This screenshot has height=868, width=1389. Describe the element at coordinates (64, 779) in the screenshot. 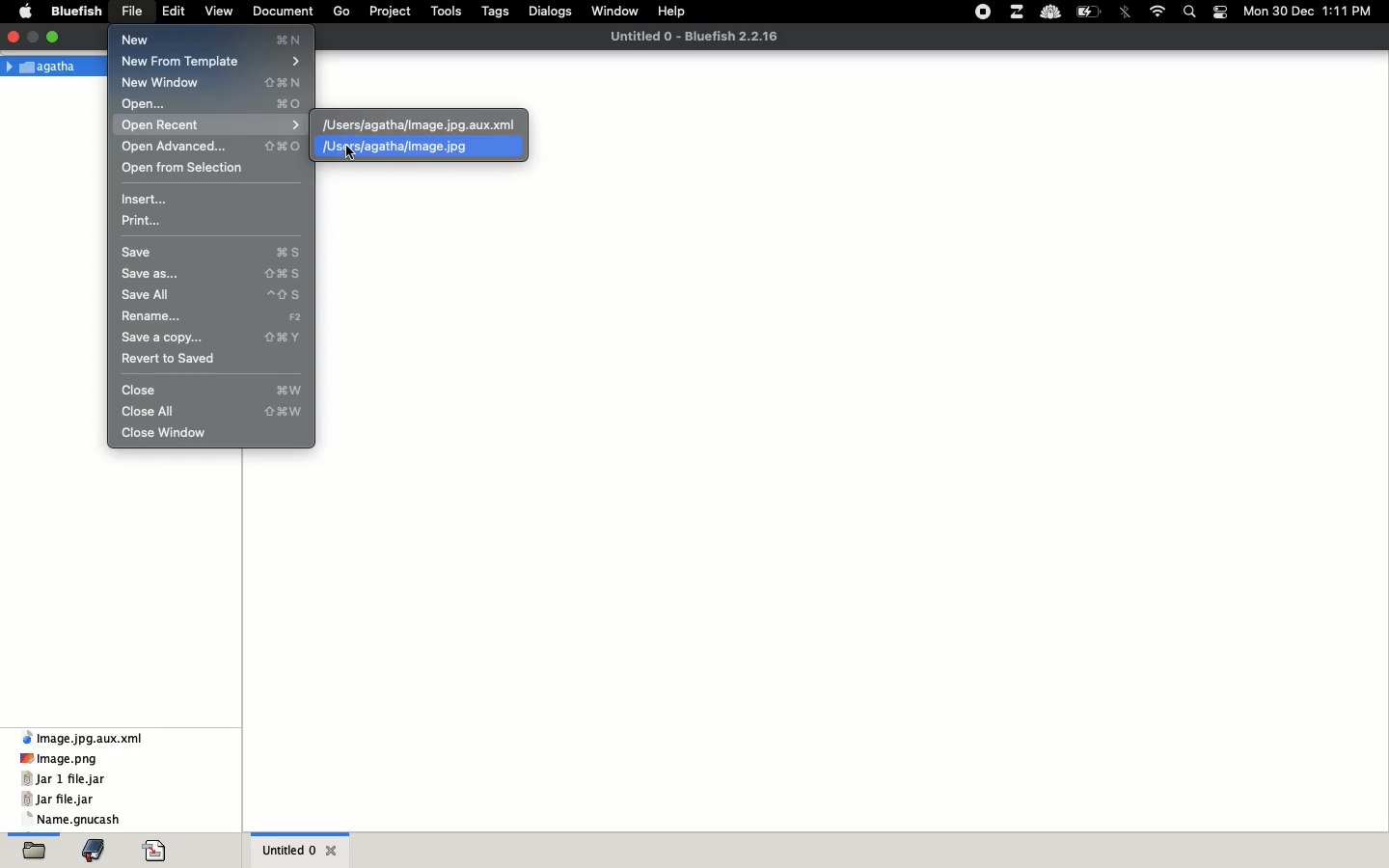

I see `jar 1 file.jar` at that location.